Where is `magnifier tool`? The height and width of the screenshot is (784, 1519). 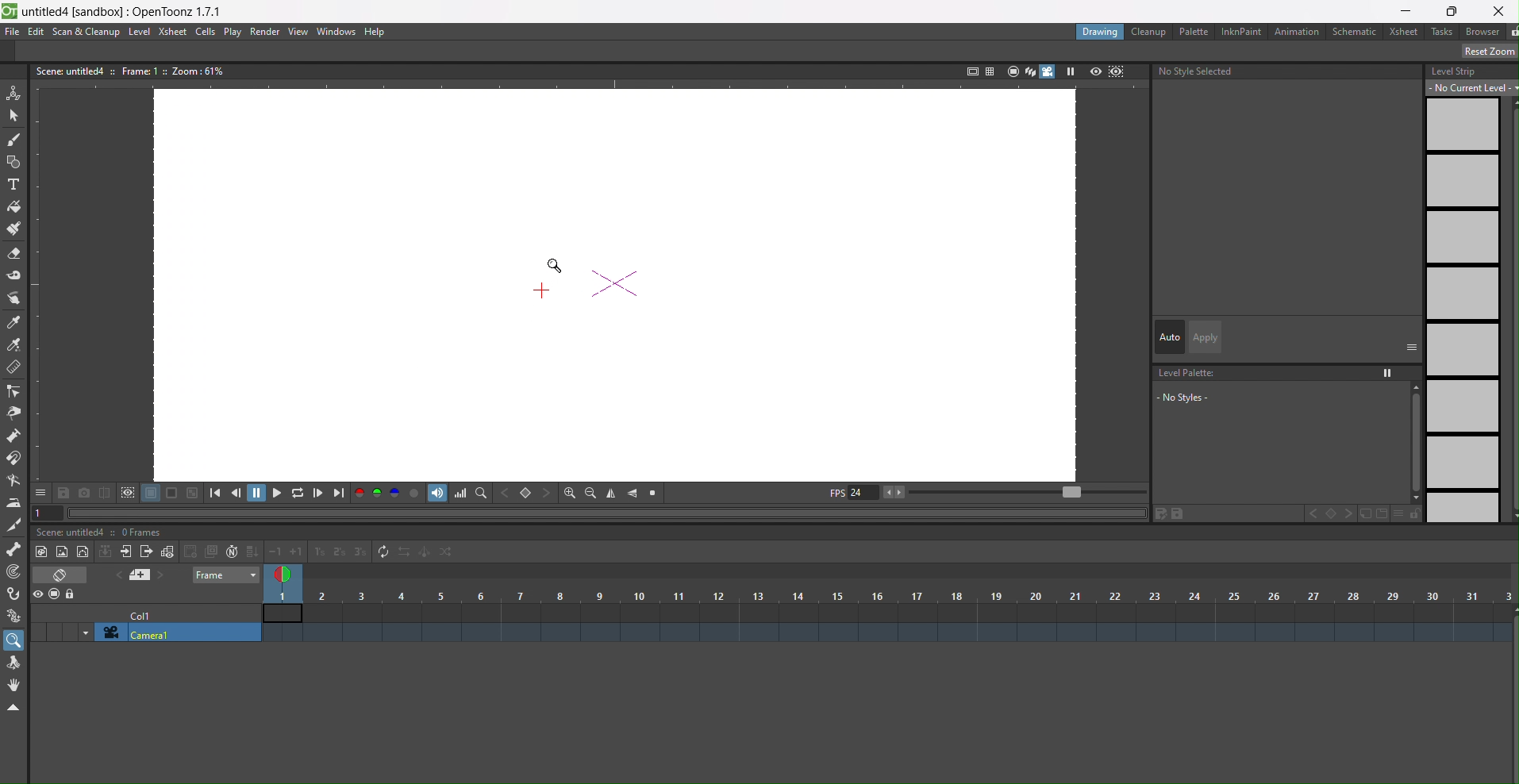
magnifier tool is located at coordinates (15, 640).